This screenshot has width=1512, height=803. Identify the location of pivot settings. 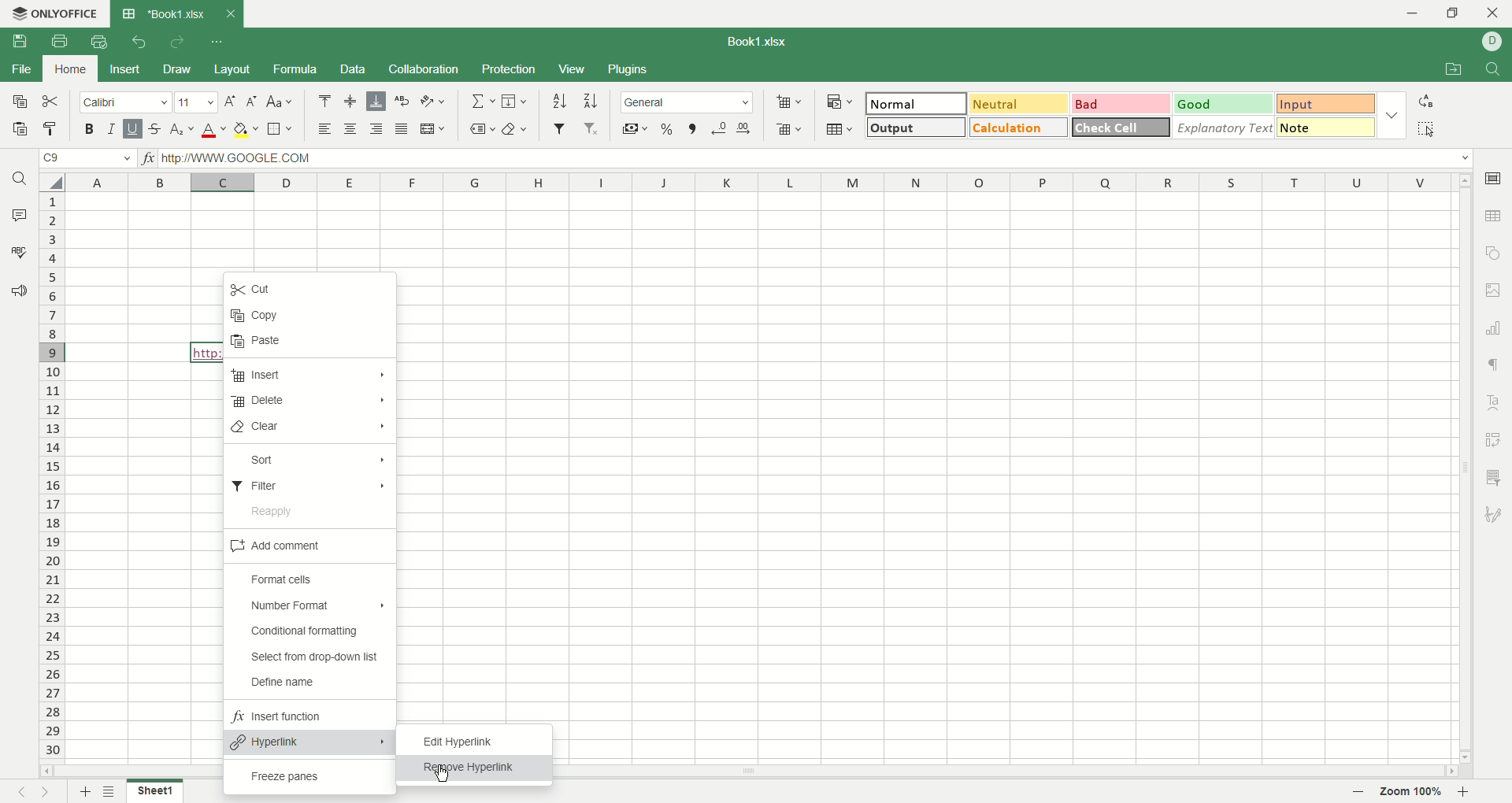
(1493, 437).